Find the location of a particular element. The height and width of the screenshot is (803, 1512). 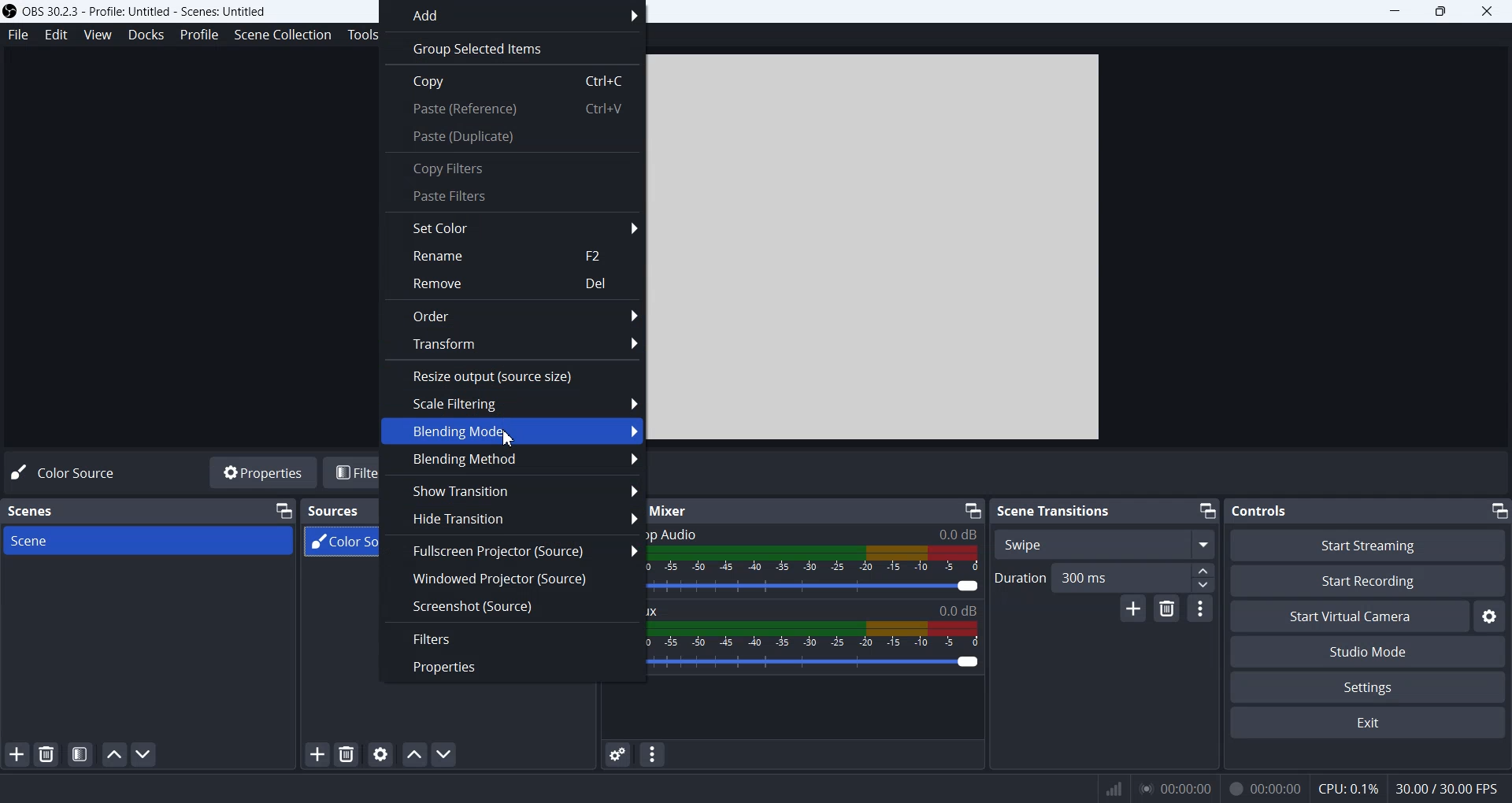

Volume Indicator is located at coordinates (820, 634).